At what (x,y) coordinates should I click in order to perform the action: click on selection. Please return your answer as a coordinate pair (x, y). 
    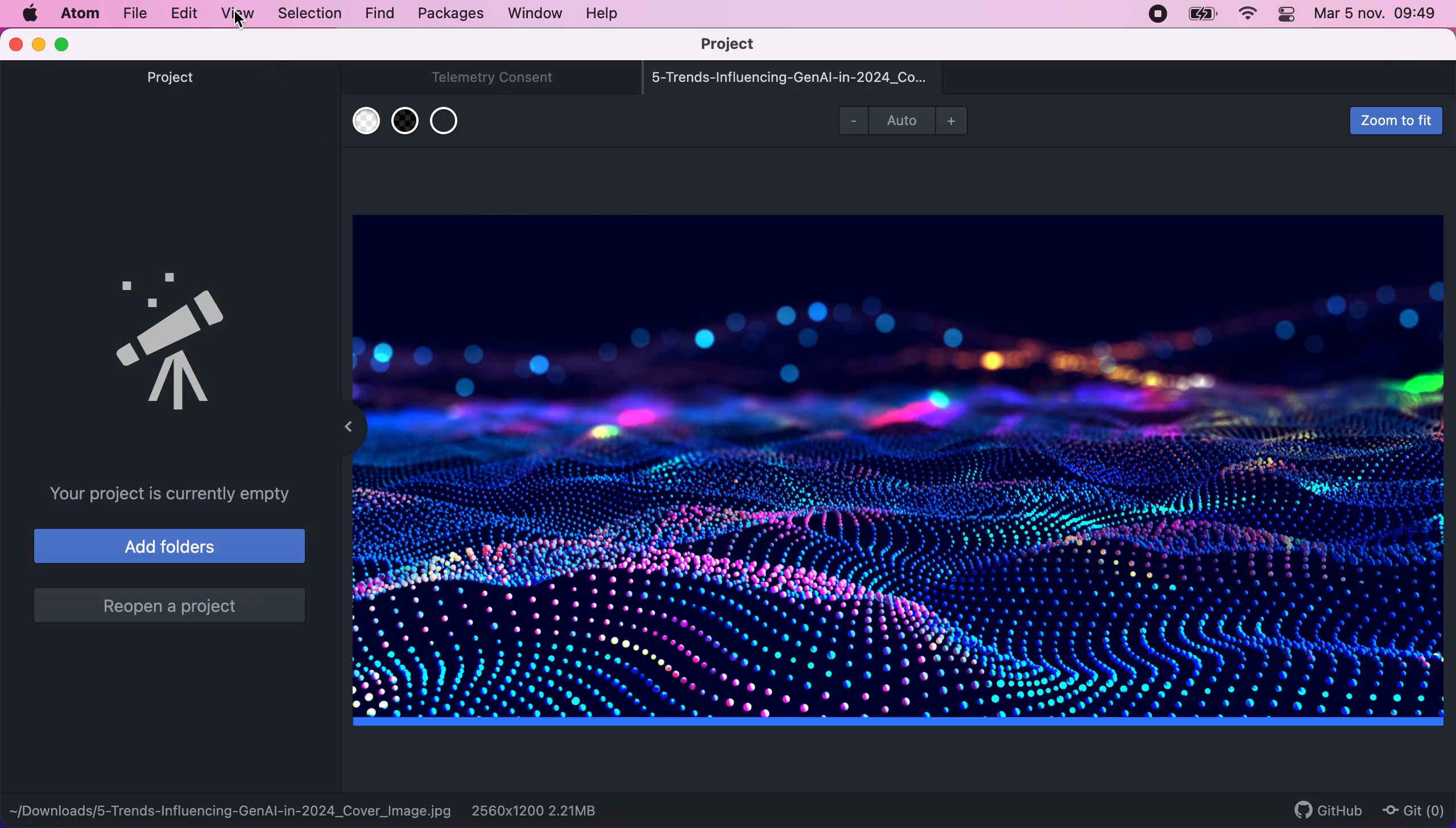
    Looking at the image, I should click on (311, 14).